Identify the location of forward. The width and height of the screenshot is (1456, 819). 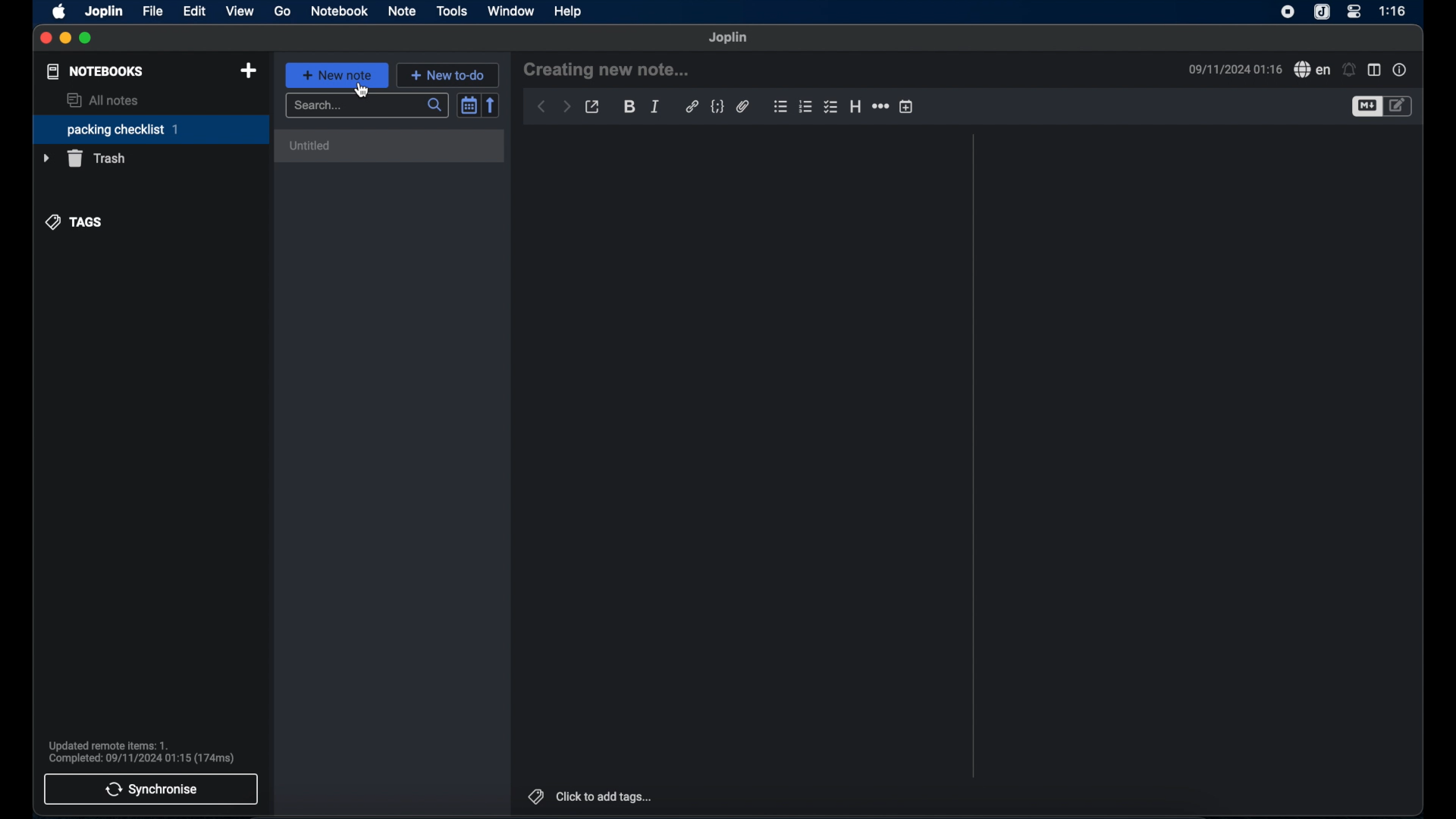
(566, 106).